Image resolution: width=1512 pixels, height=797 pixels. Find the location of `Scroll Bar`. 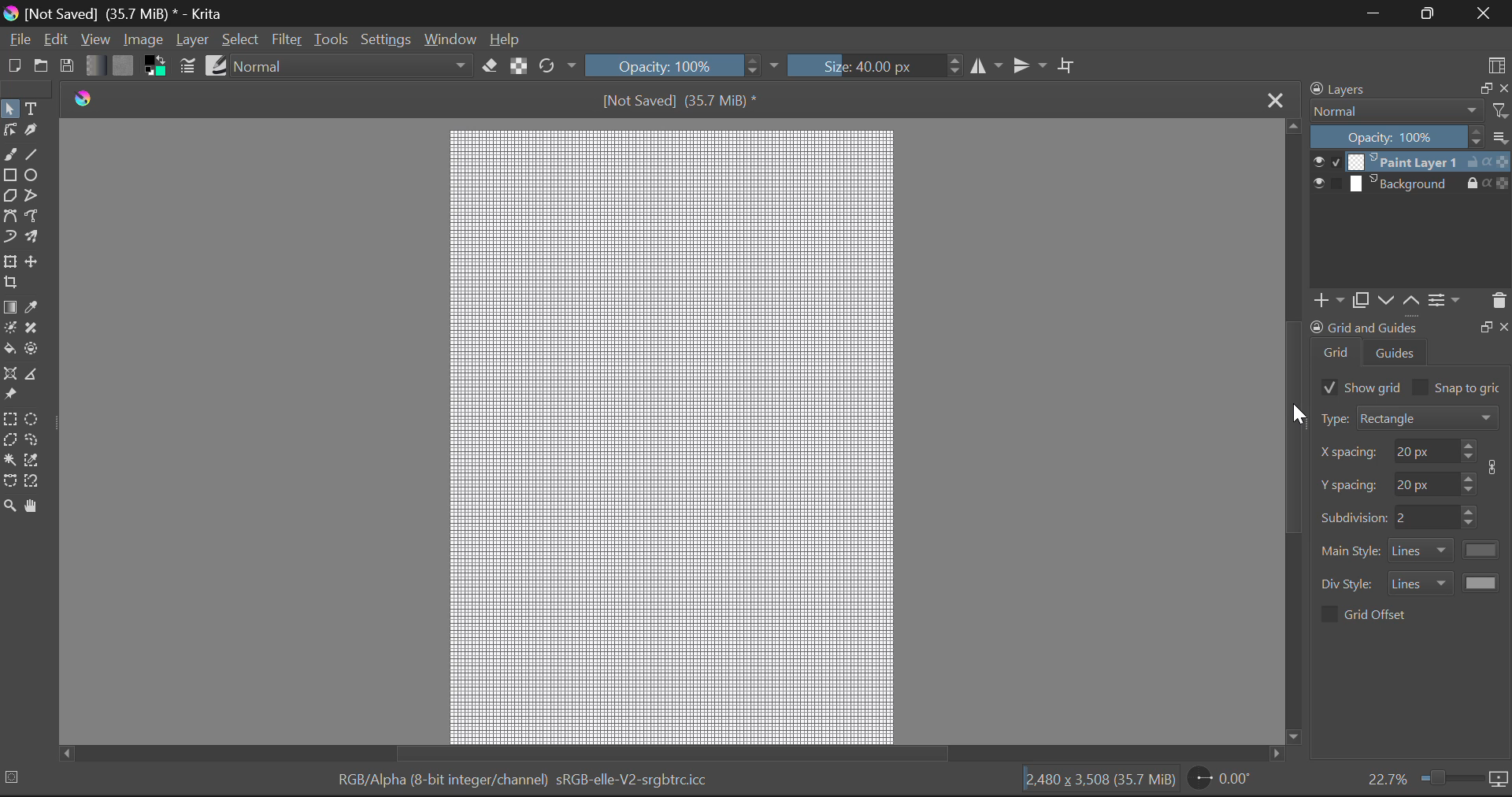

Scroll Bar is located at coordinates (1293, 435).